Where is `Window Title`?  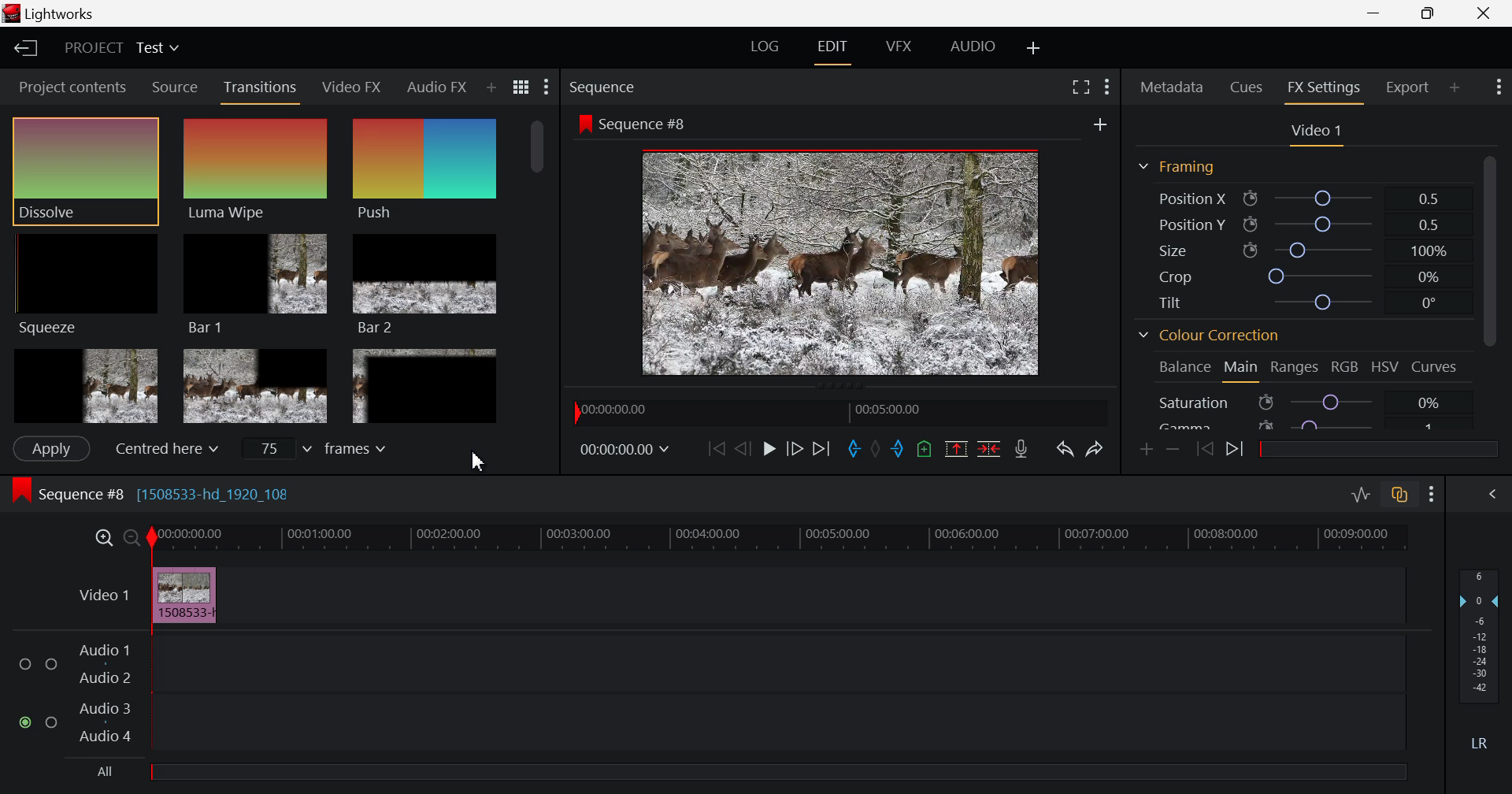
Window Title is located at coordinates (47, 13).